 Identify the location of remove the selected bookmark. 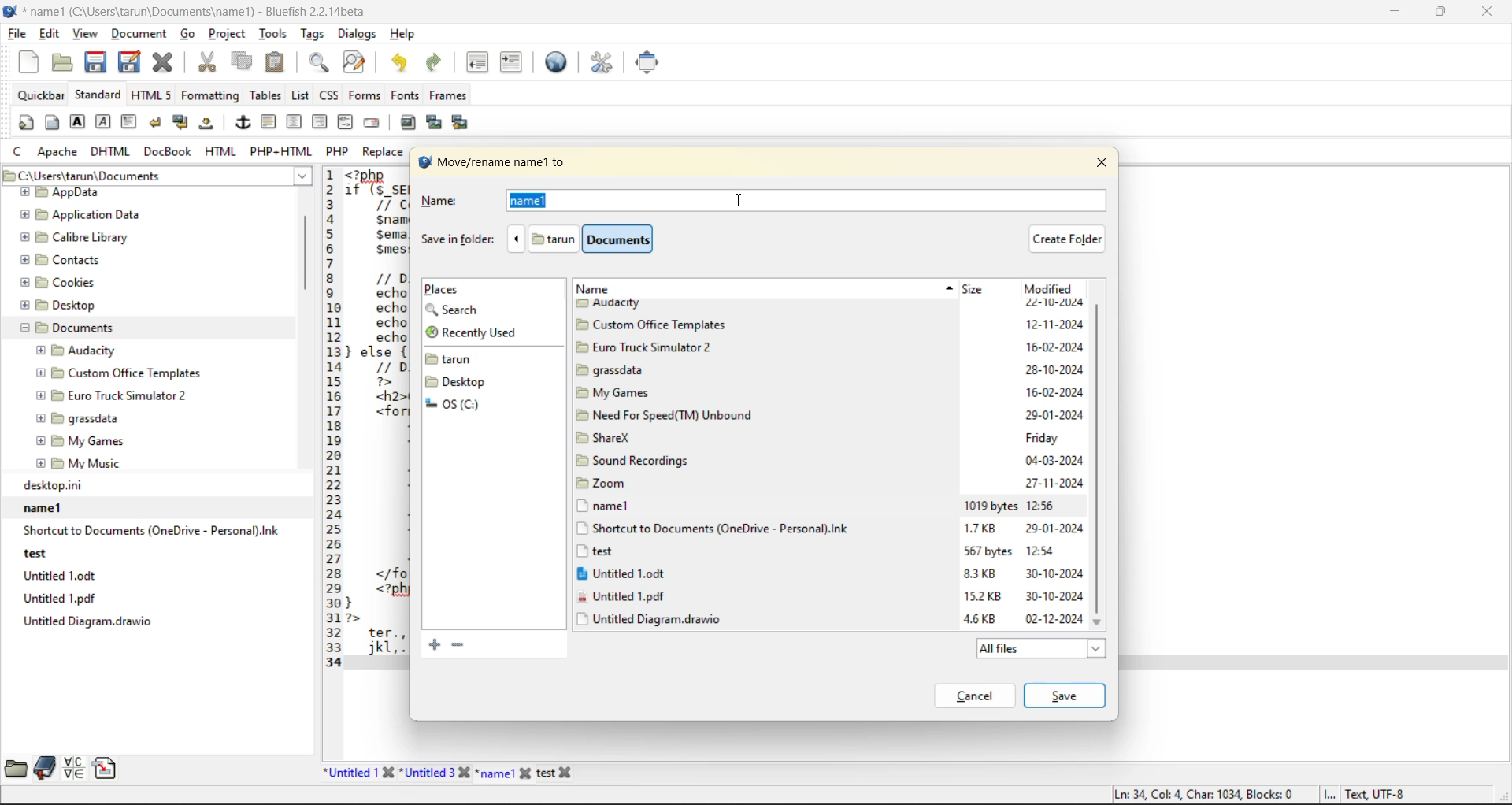
(457, 643).